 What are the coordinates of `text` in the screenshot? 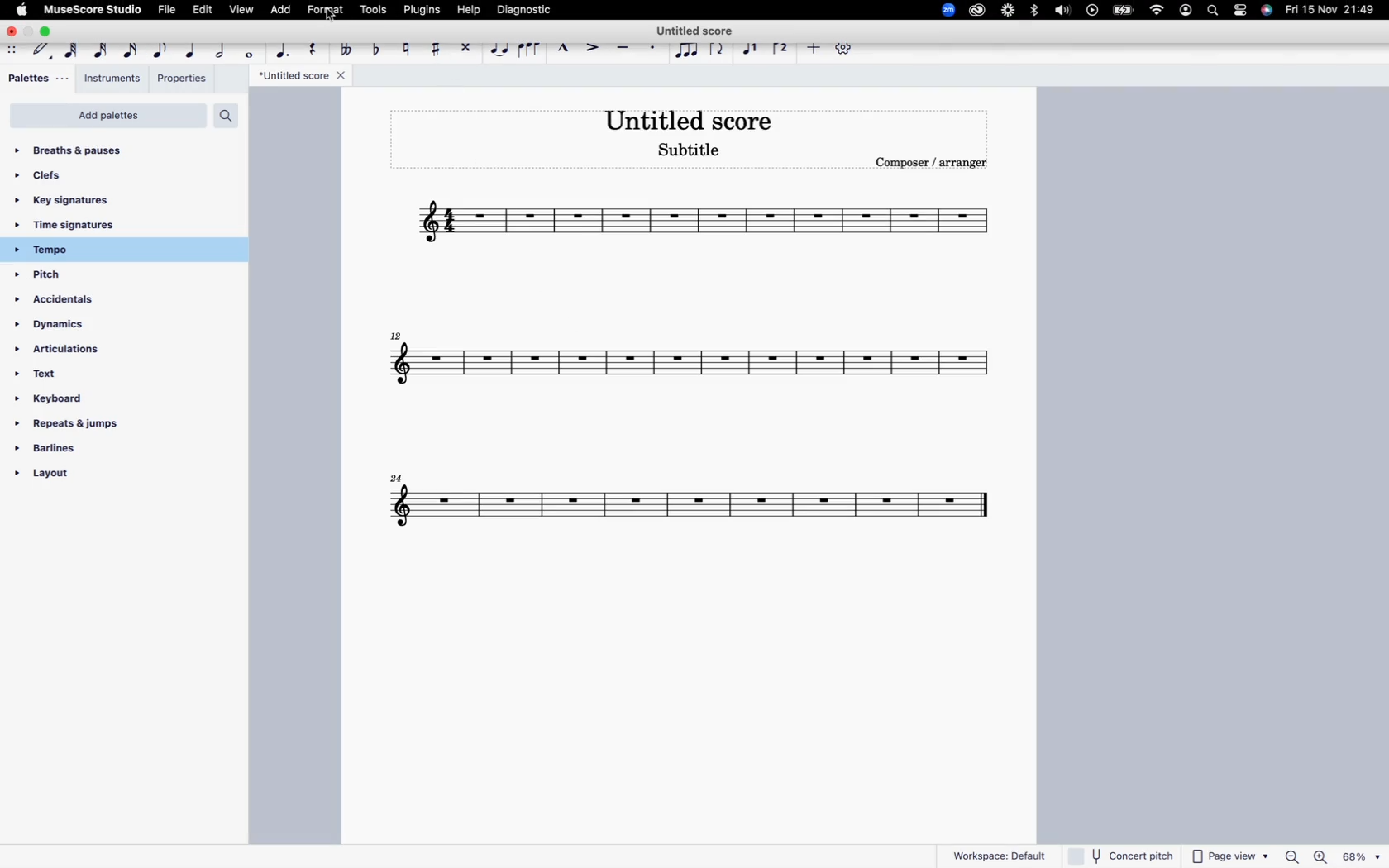 It's located at (53, 379).